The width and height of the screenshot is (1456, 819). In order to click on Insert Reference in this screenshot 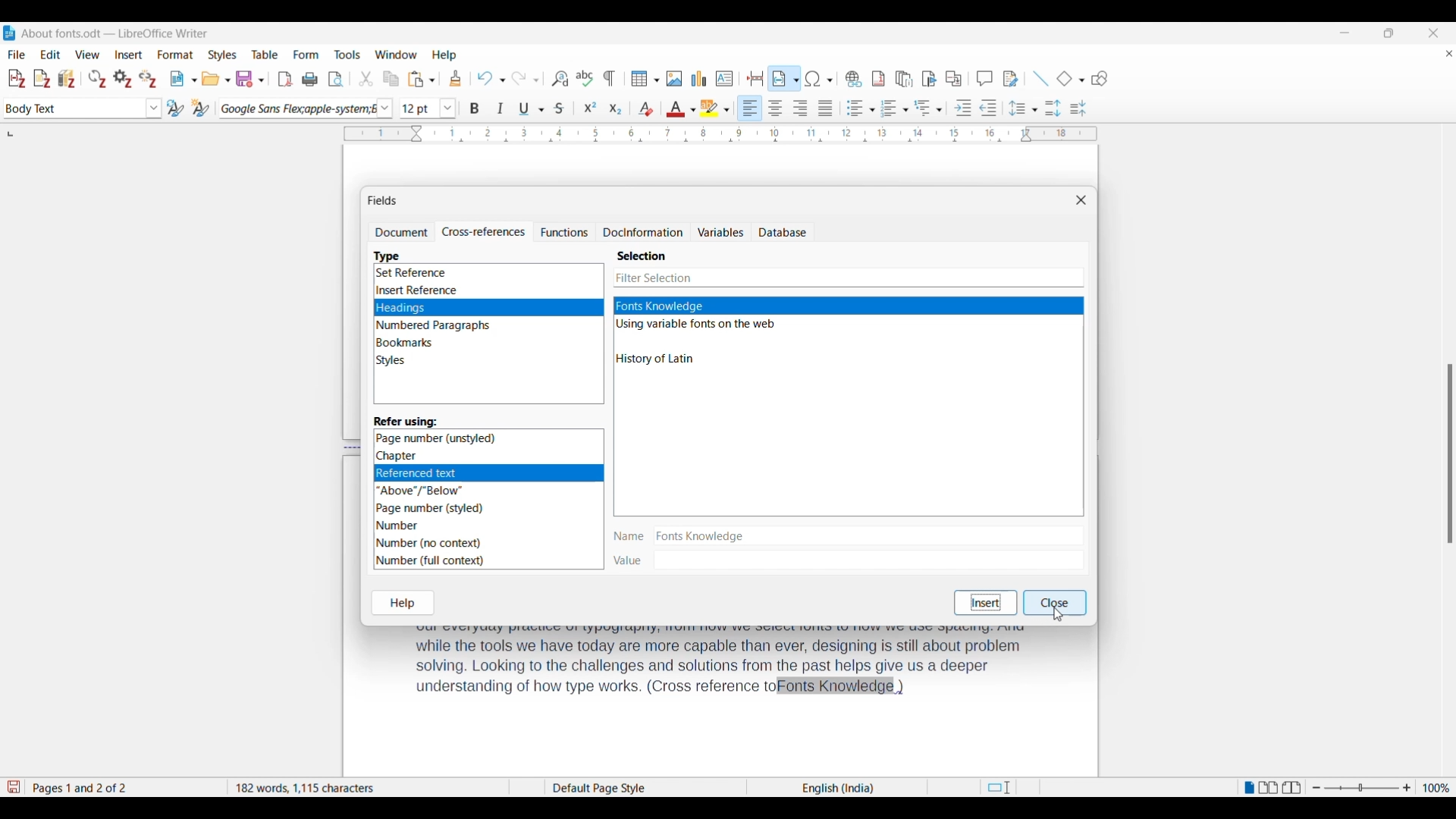, I will do `click(419, 290)`.